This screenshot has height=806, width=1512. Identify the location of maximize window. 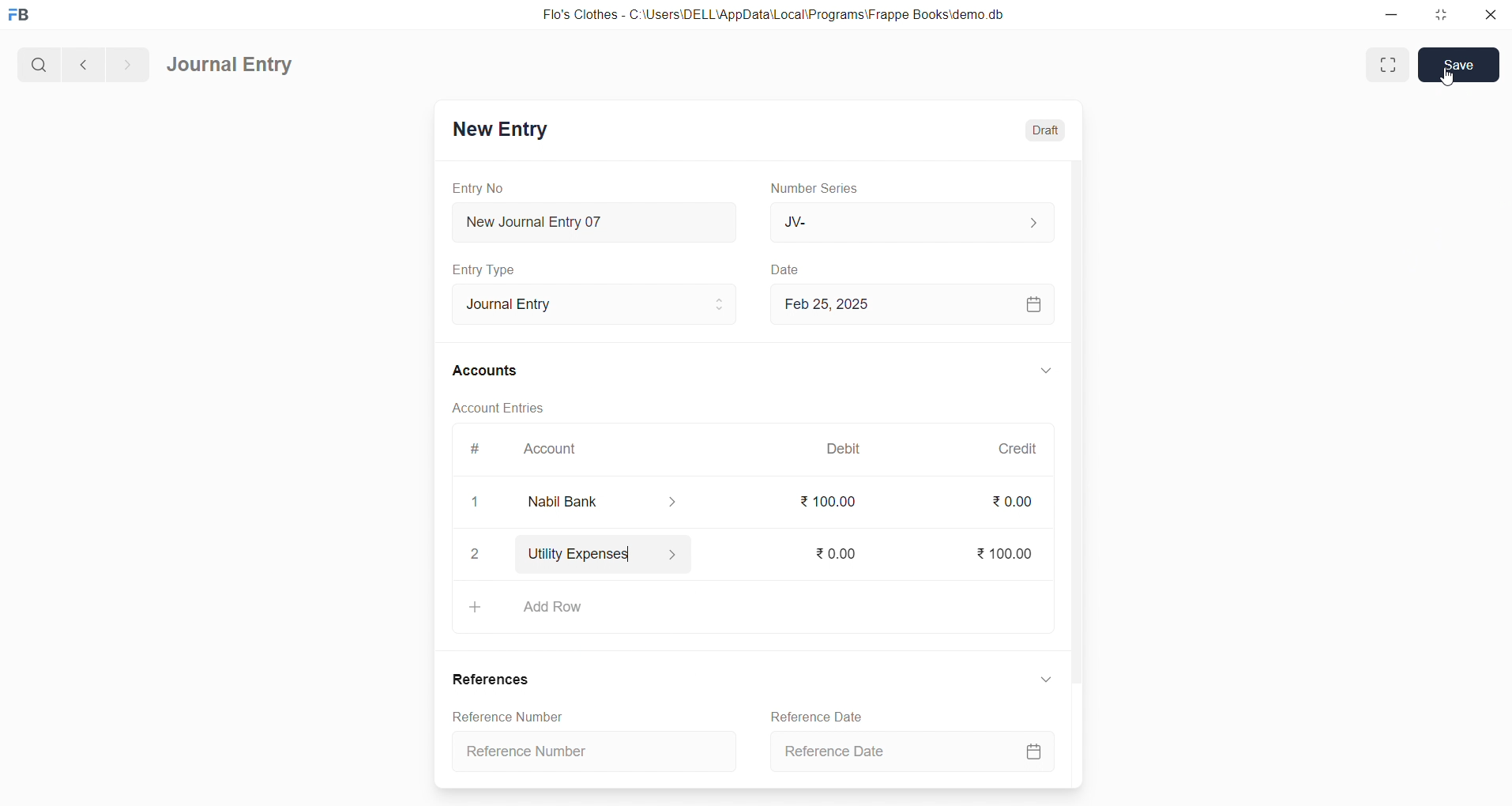
(1385, 64).